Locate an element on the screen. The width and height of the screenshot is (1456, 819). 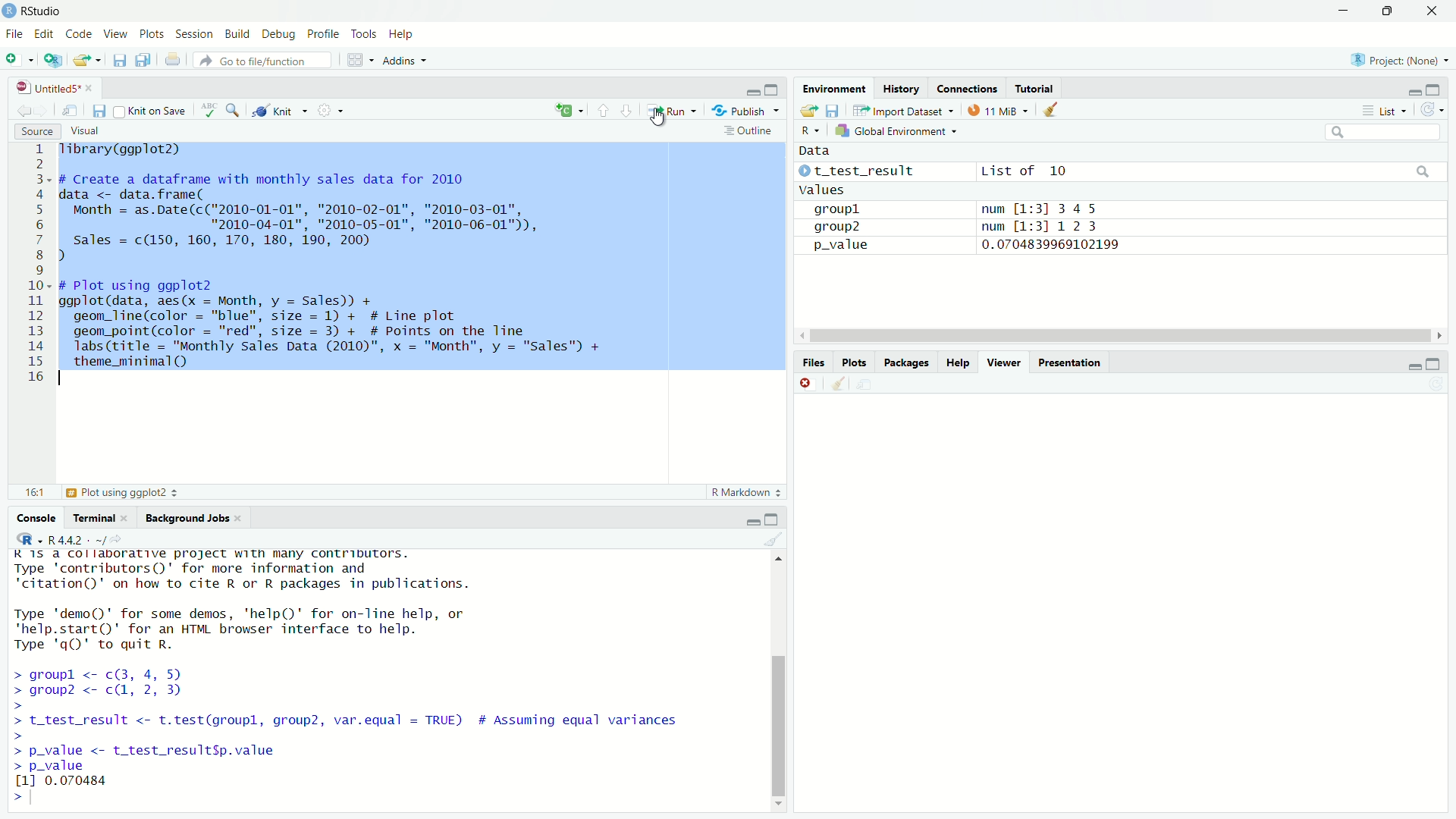
aroun? num M-=311 2 3 is located at coordinates (959, 226).